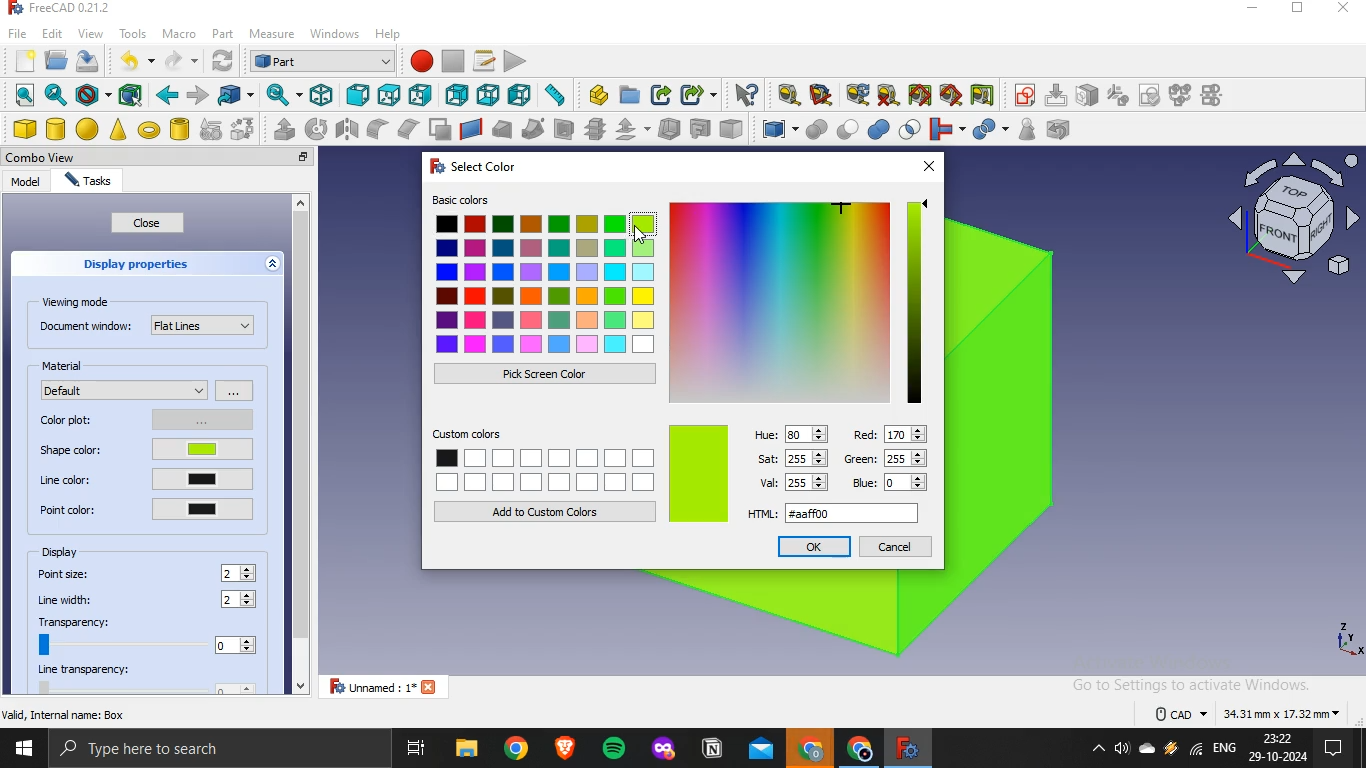 This screenshot has height=768, width=1366. What do you see at coordinates (145, 635) in the screenshot?
I see `transparency` at bounding box center [145, 635].